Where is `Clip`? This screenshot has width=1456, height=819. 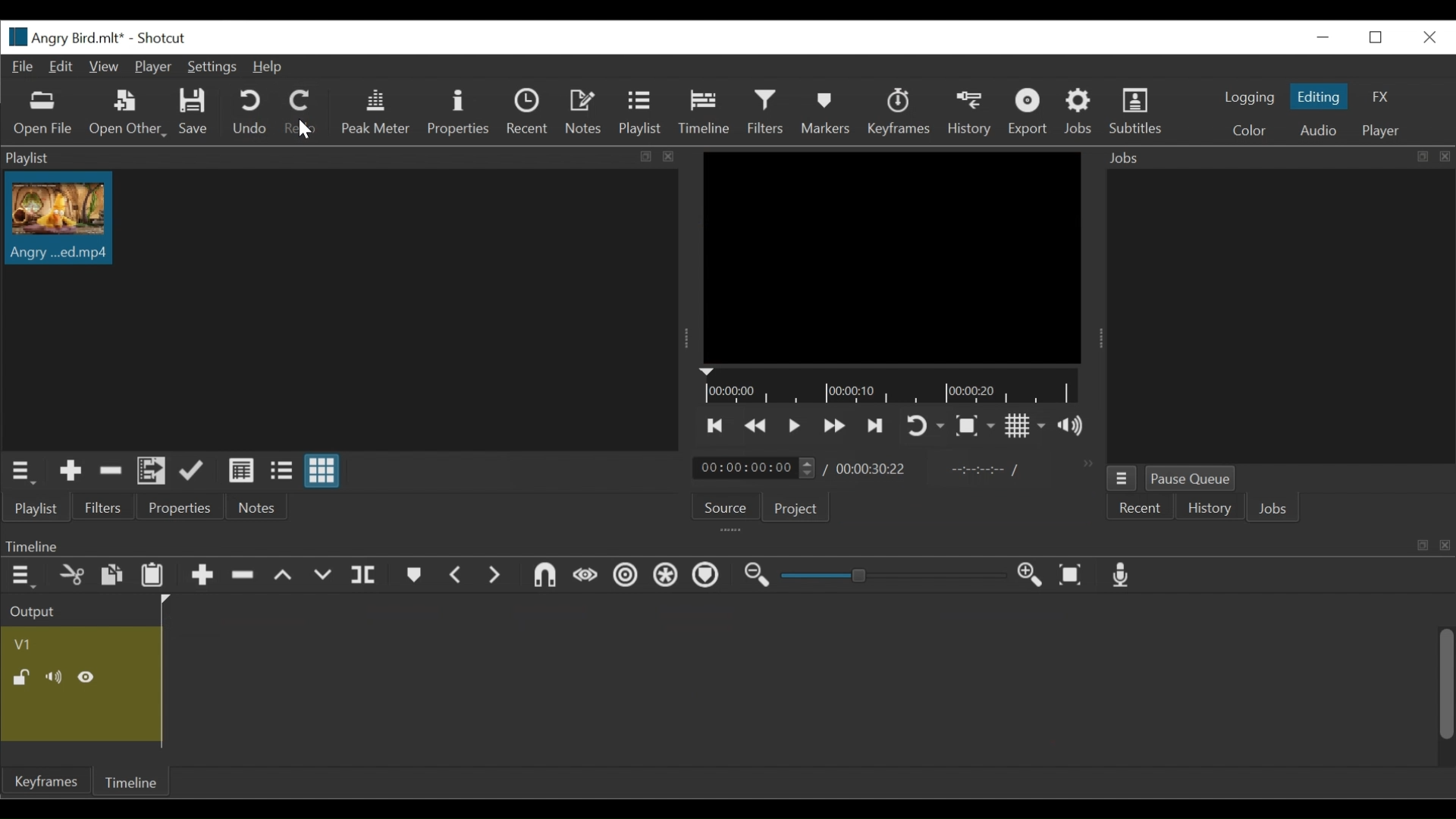 Clip is located at coordinates (64, 218).